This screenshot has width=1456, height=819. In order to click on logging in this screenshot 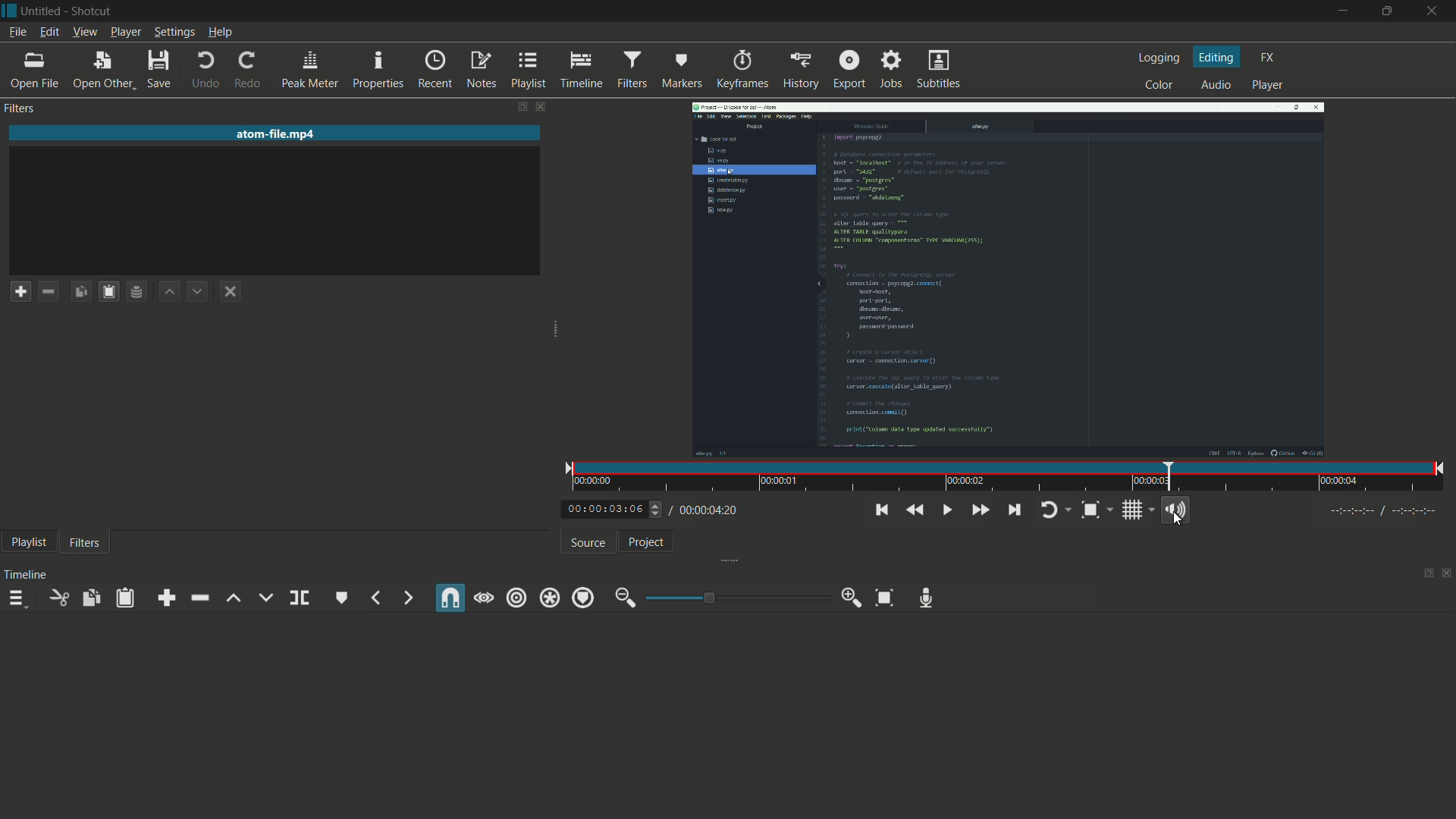, I will do `click(1159, 58)`.